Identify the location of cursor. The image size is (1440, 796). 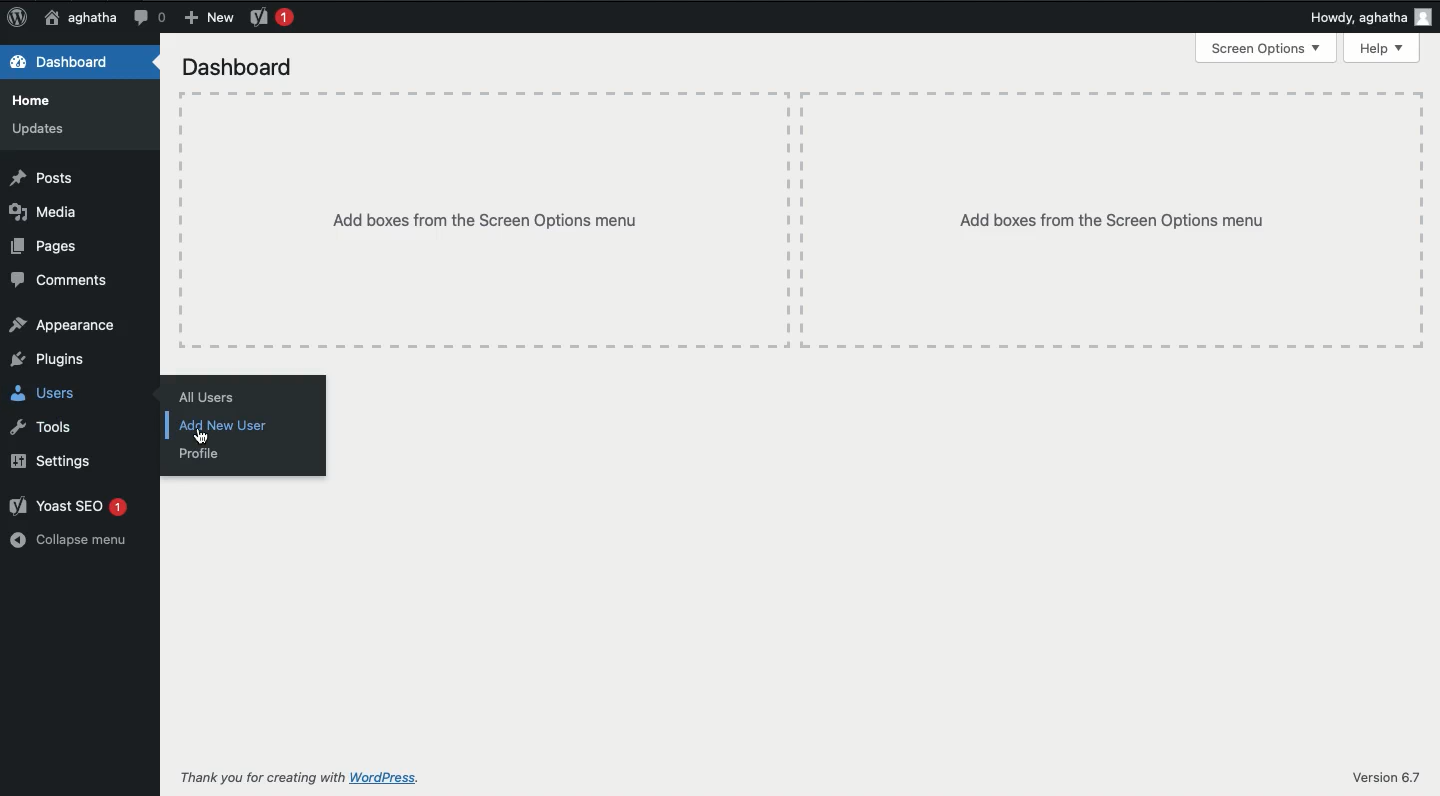
(201, 438).